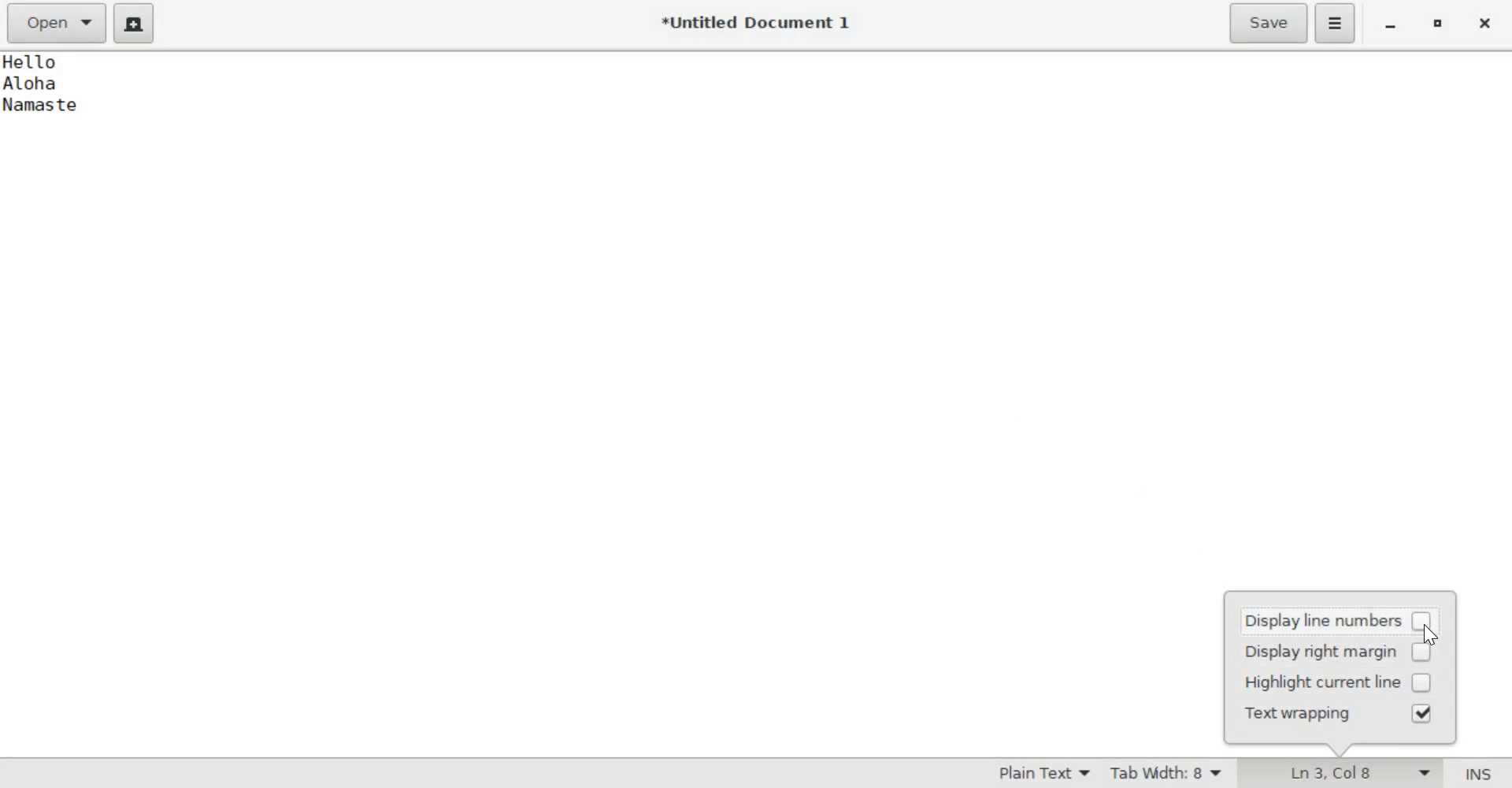 The image size is (1512, 788). What do you see at coordinates (1034, 773) in the screenshot?
I see `Syntax Mode` at bounding box center [1034, 773].